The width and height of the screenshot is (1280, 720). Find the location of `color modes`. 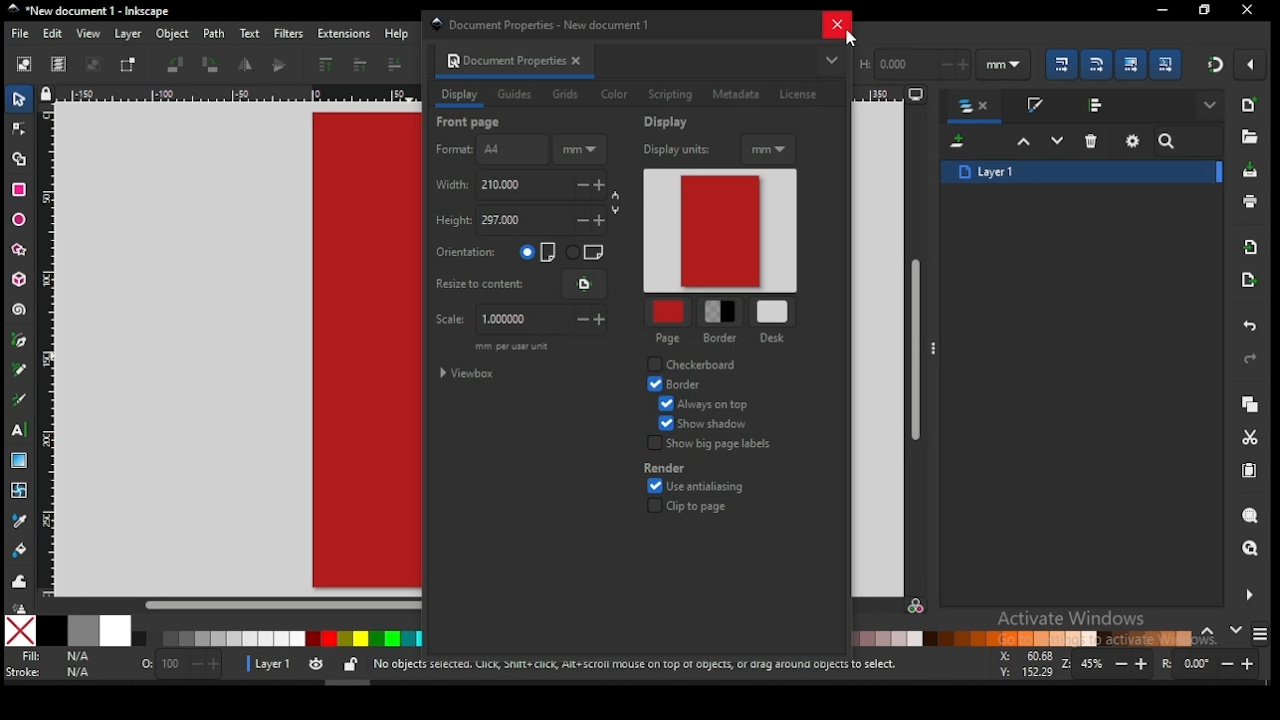

color modes is located at coordinates (1260, 634).